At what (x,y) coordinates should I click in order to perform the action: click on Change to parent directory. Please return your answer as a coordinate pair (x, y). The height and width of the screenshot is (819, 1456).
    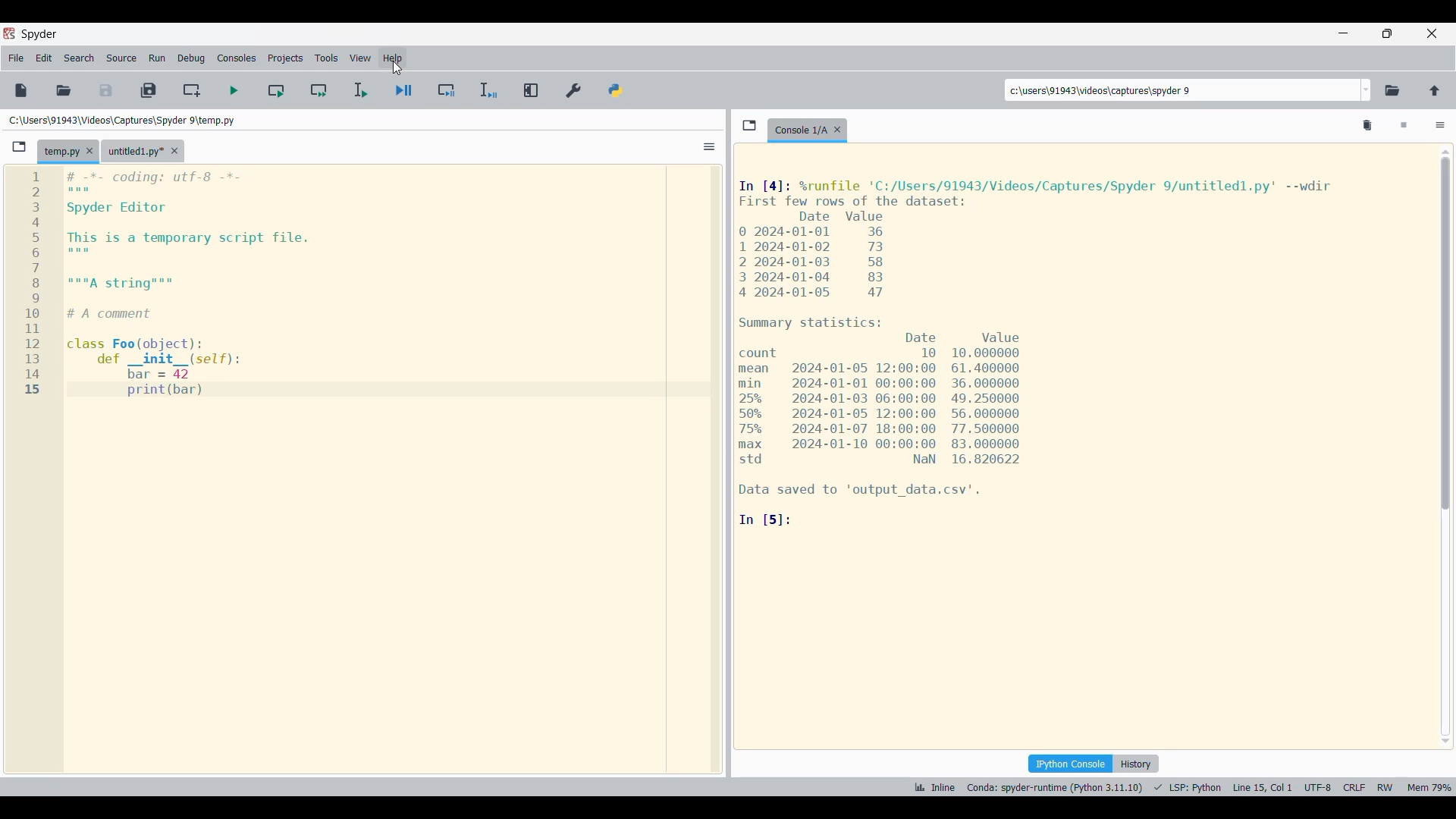
    Looking at the image, I should click on (1434, 90).